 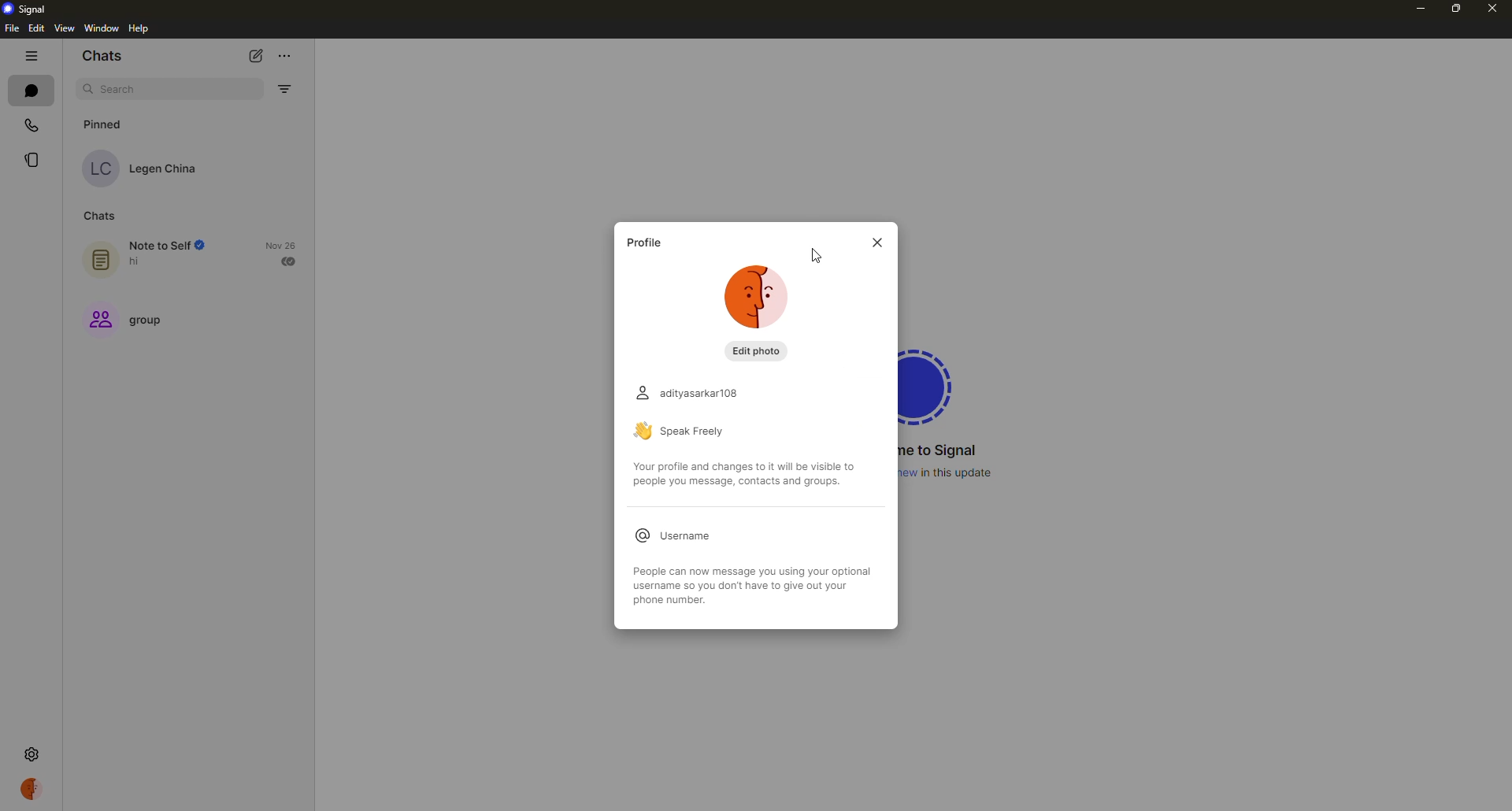 What do you see at coordinates (763, 585) in the screenshot?
I see `information about username` at bounding box center [763, 585].